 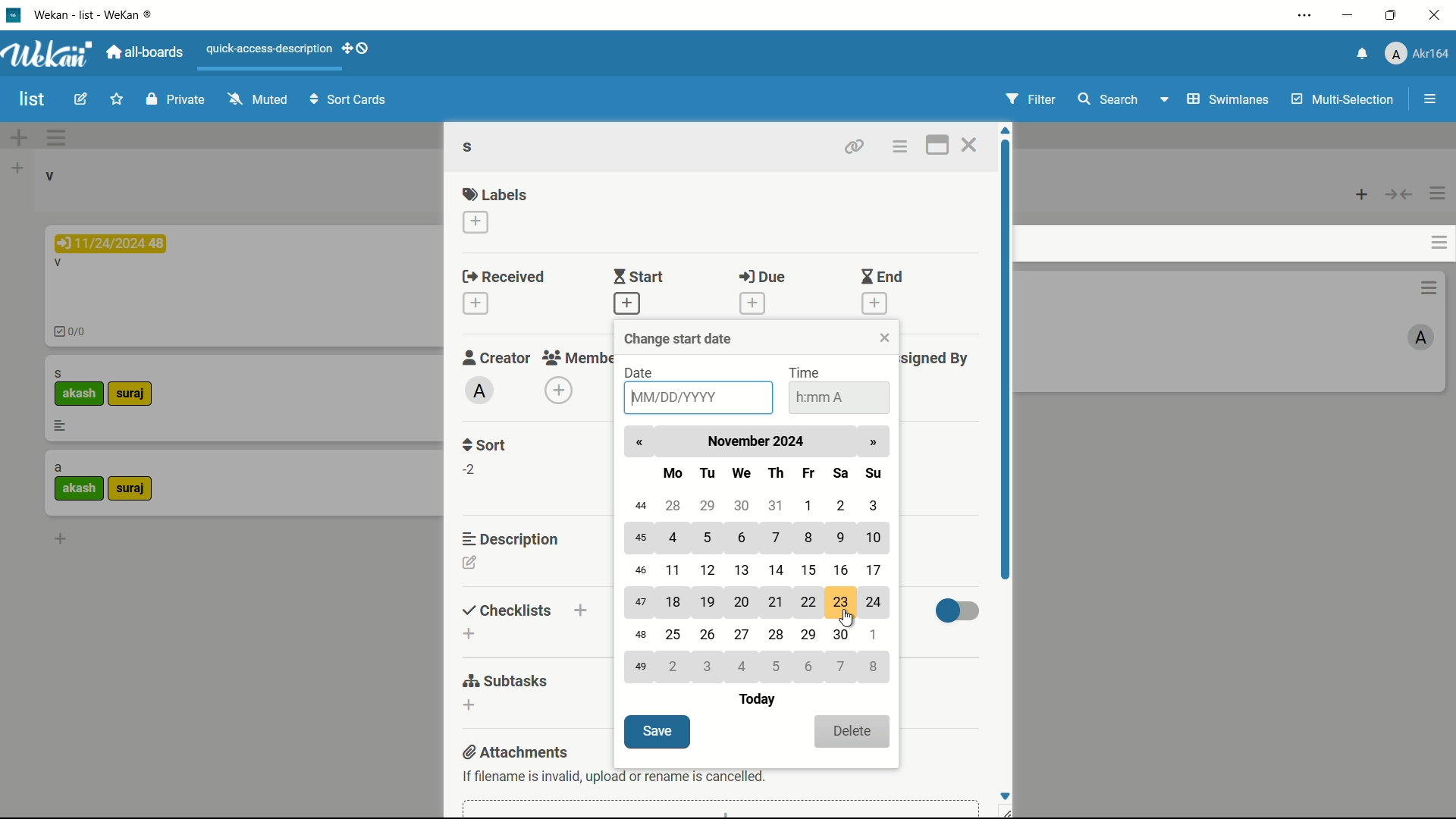 I want to click on Scroll down, so click(x=1007, y=794).